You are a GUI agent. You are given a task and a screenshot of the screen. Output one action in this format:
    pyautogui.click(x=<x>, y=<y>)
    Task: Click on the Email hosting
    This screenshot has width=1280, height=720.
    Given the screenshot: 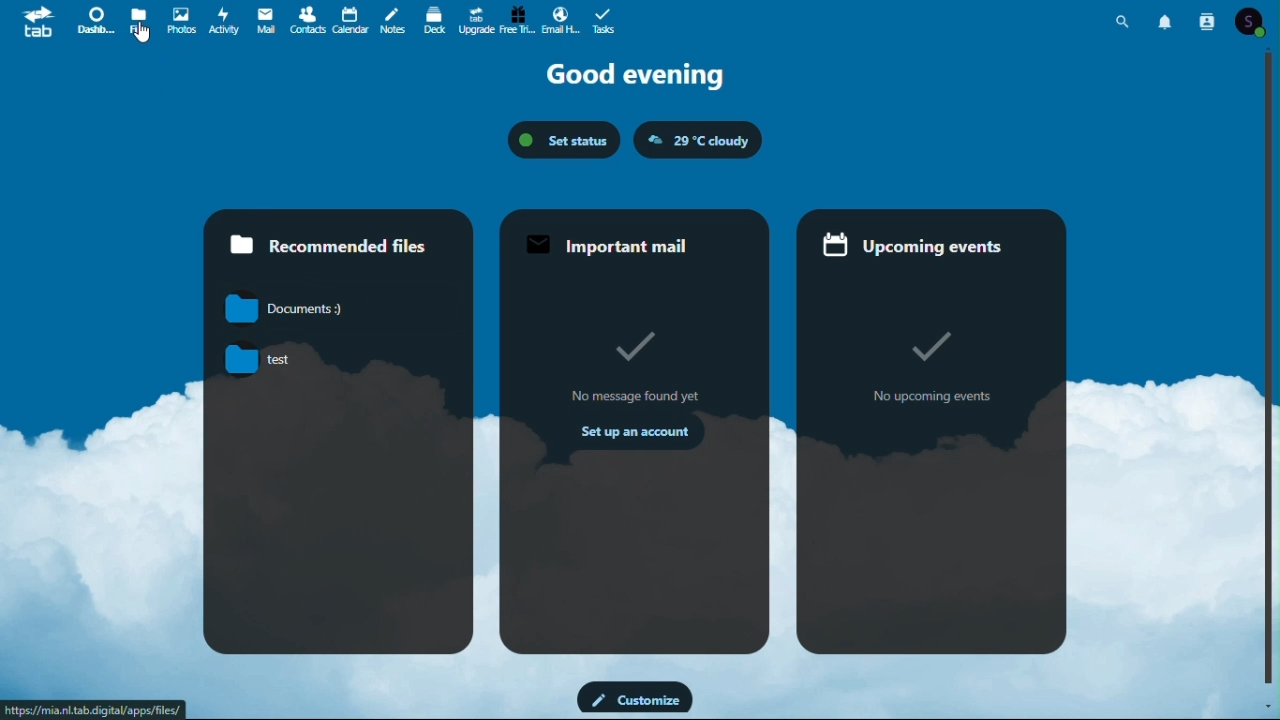 What is the action you would take?
    pyautogui.click(x=562, y=19)
    